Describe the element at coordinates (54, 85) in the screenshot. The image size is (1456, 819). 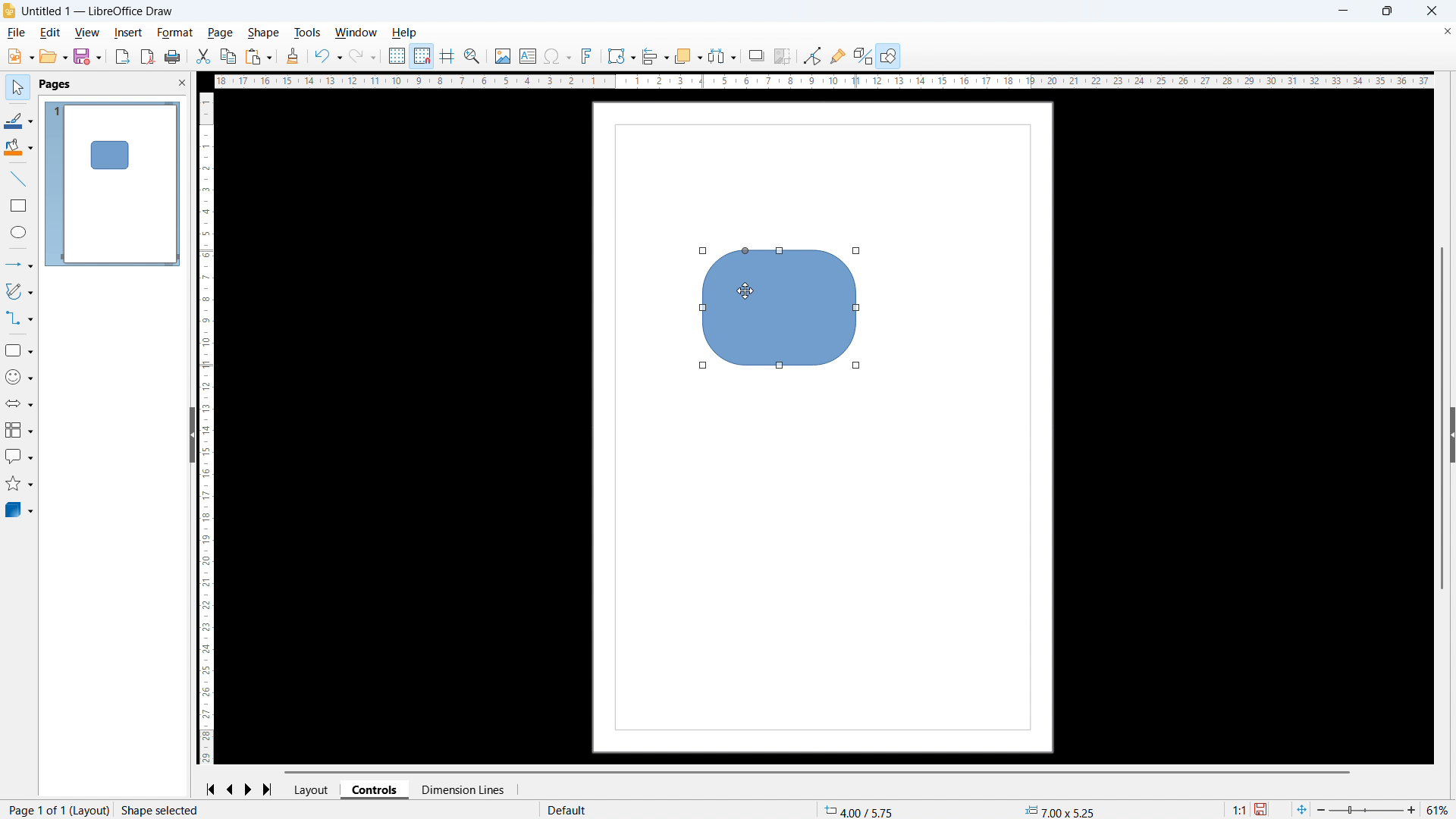
I see `pages ` at that location.